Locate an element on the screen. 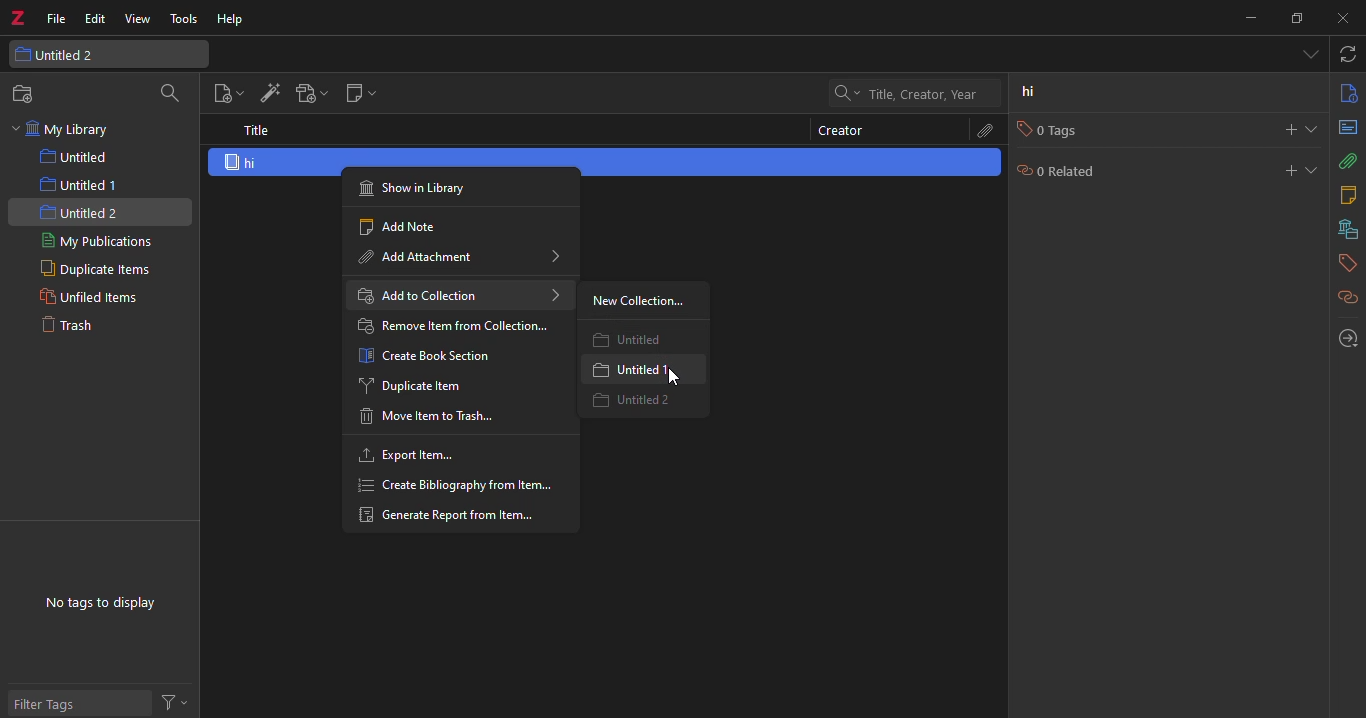 The image size is (1366, 718). search is located at coordinates (169, 95).